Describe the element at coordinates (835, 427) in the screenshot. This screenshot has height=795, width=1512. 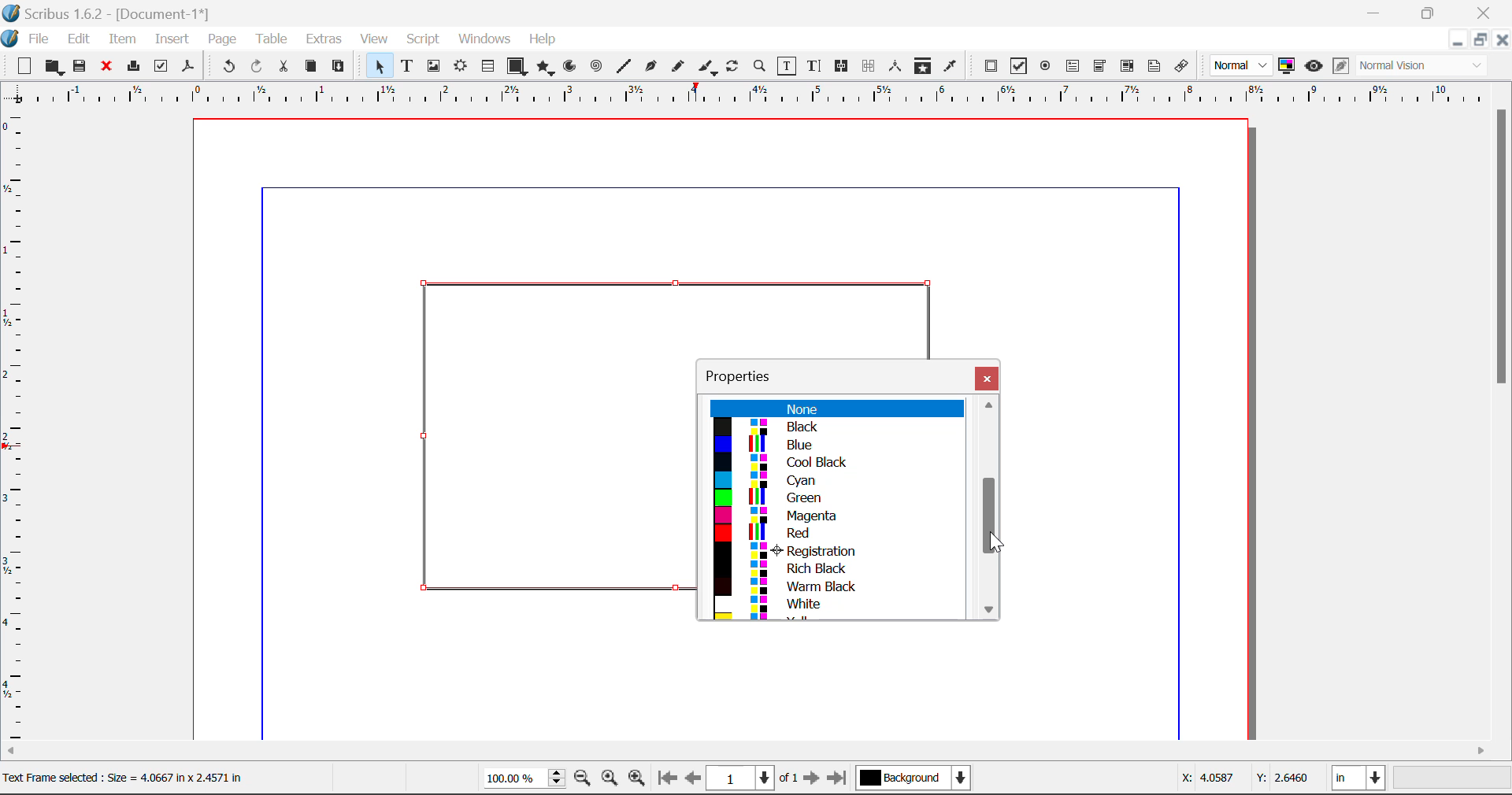
I see `Black` at that location.